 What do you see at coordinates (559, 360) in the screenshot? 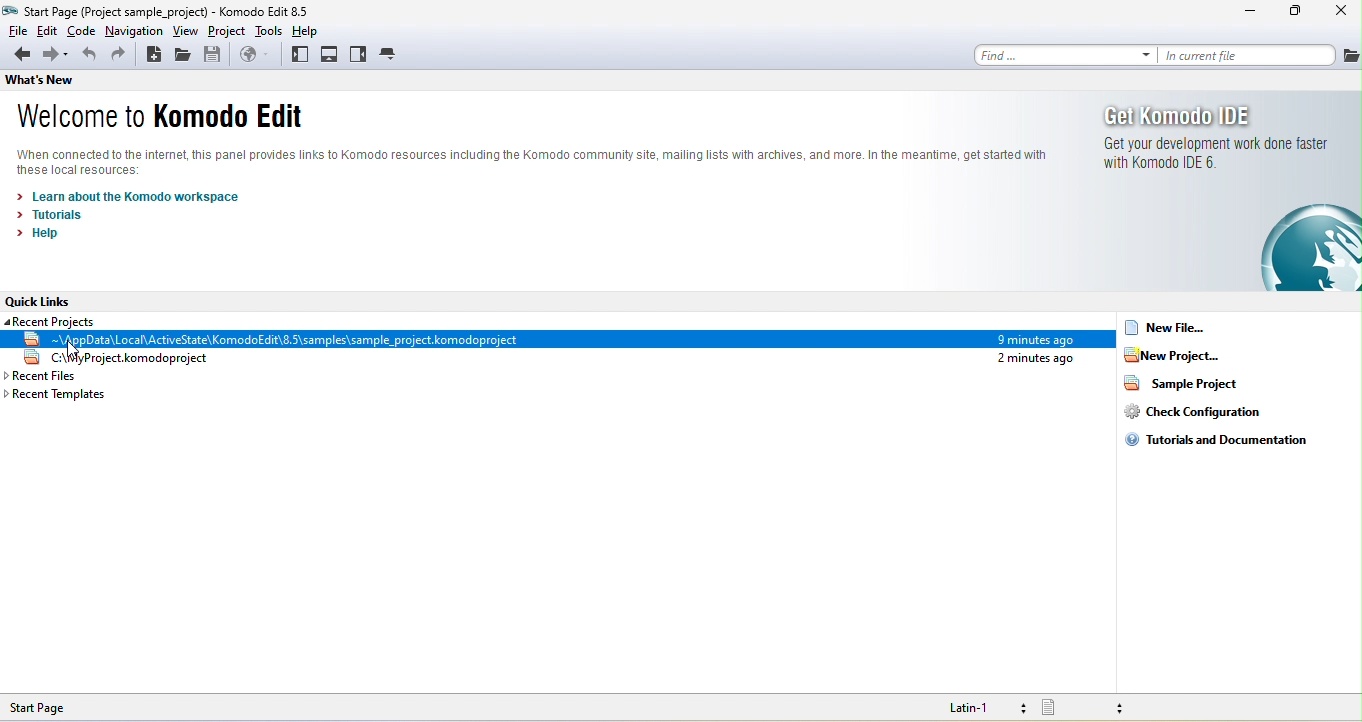
I see `recent project name` at bounding box center [559, 360].